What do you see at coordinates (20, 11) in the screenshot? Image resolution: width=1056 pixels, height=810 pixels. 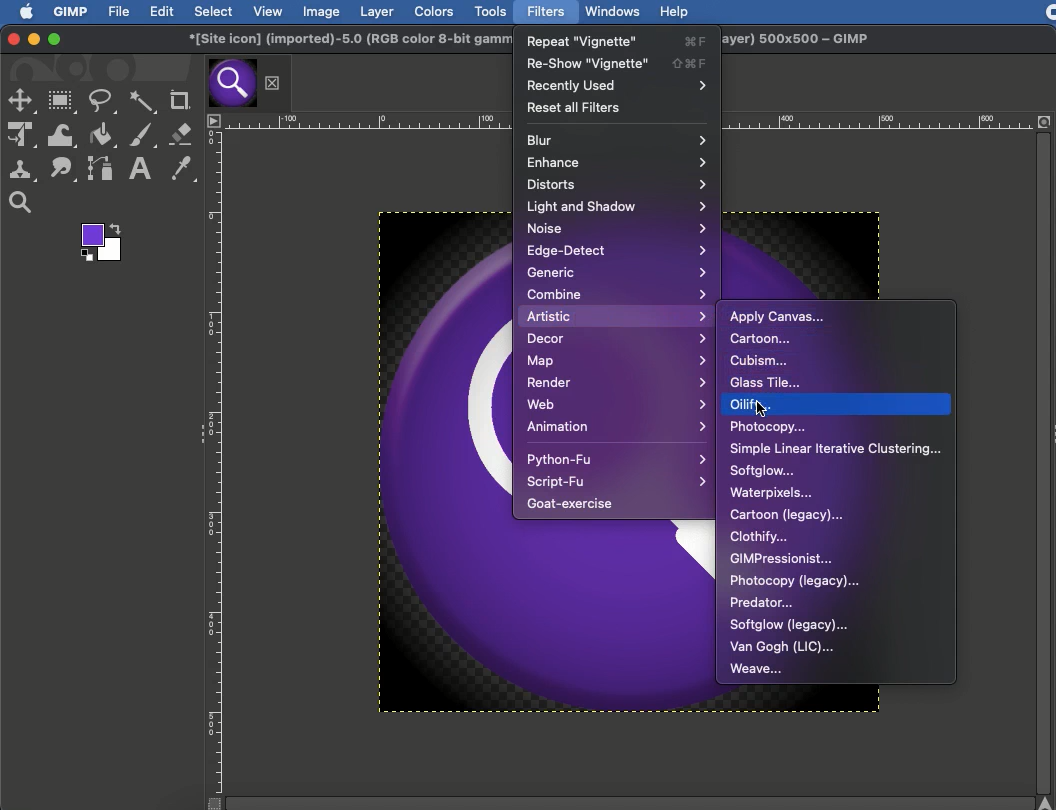 I see `Logo` at bounding box center [20, 11].